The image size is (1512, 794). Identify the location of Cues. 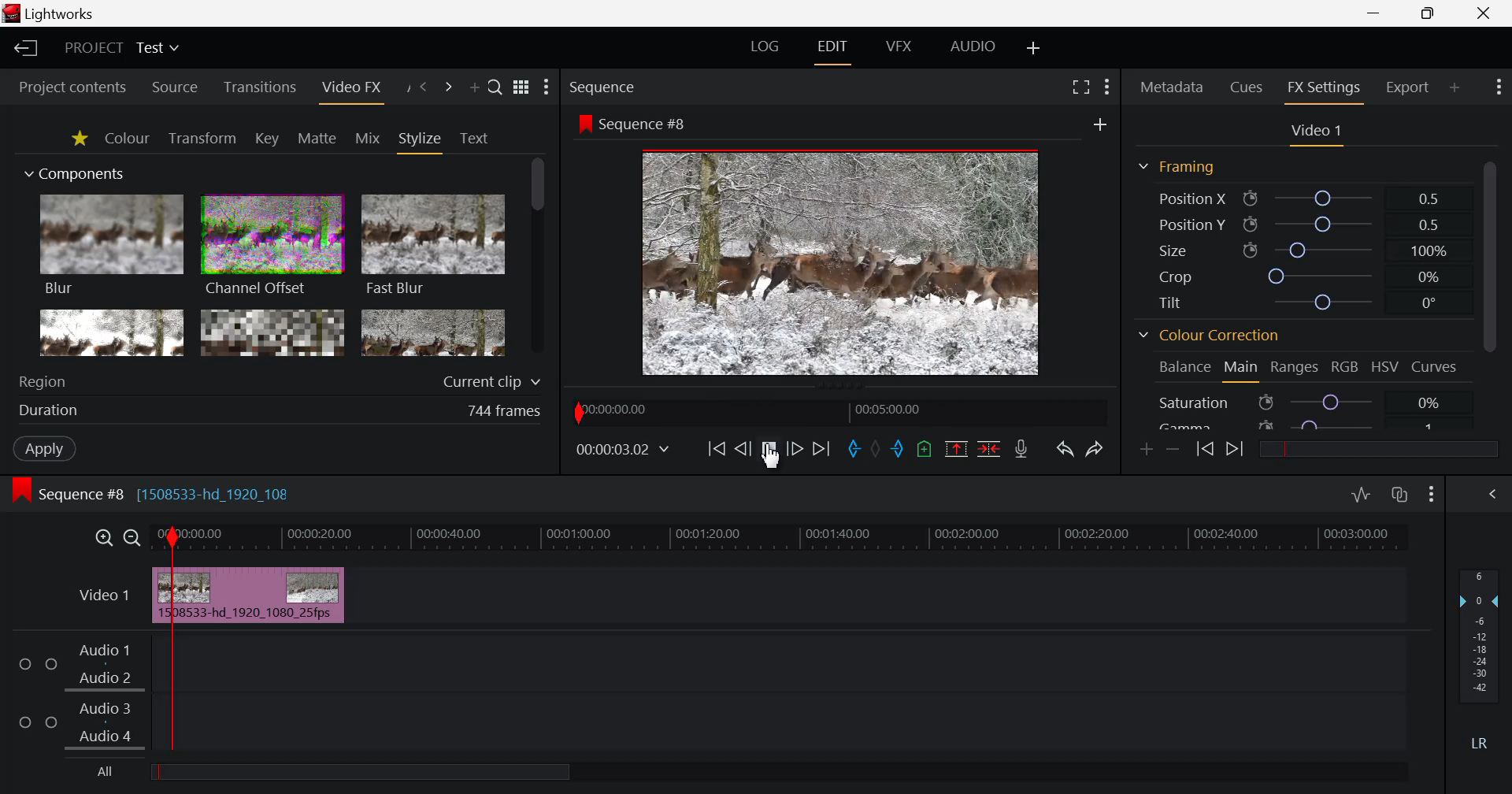
(1247, 88).